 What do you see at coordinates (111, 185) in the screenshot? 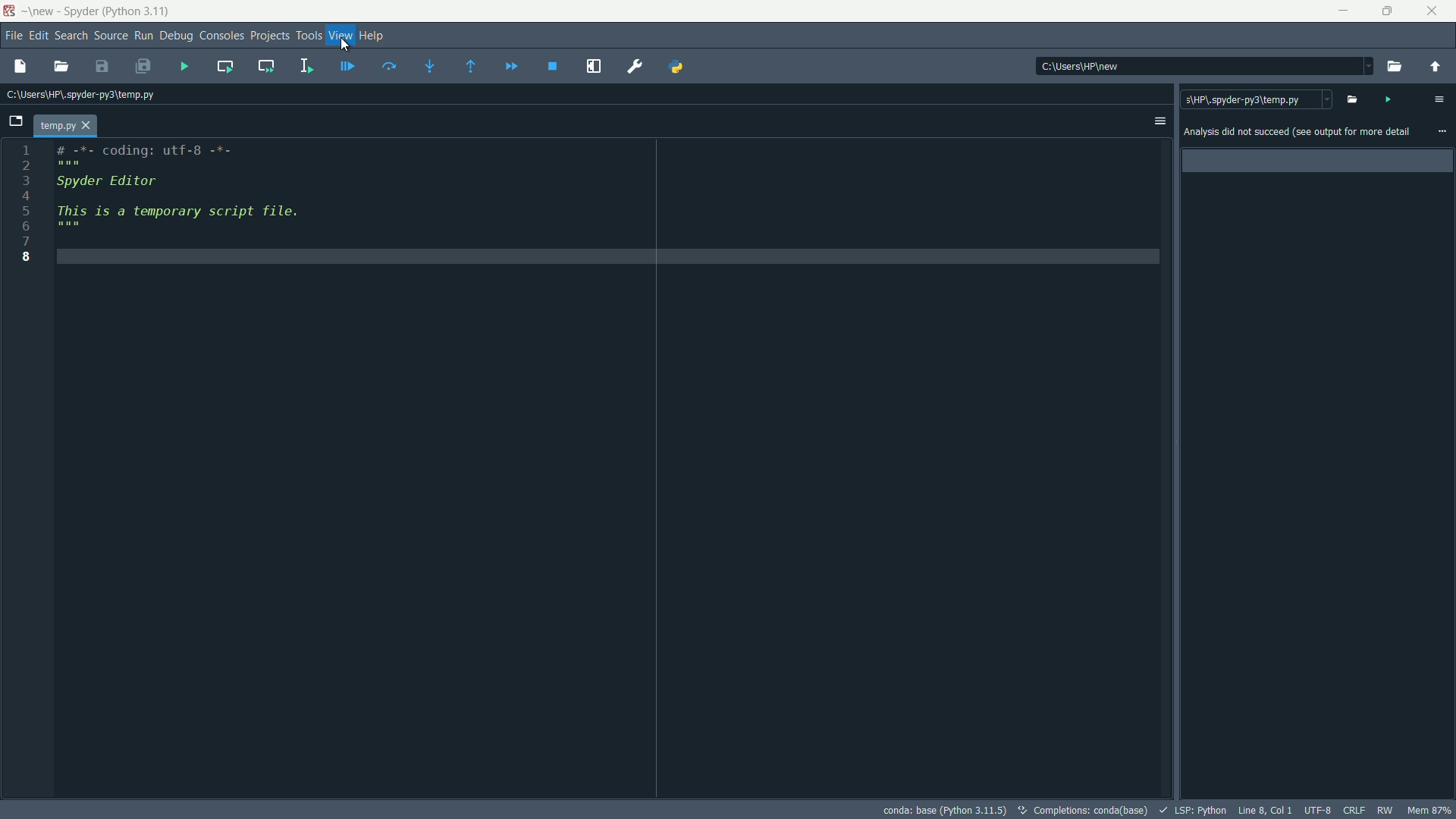
I see `spyder editor` at bounding box center [111, 185].